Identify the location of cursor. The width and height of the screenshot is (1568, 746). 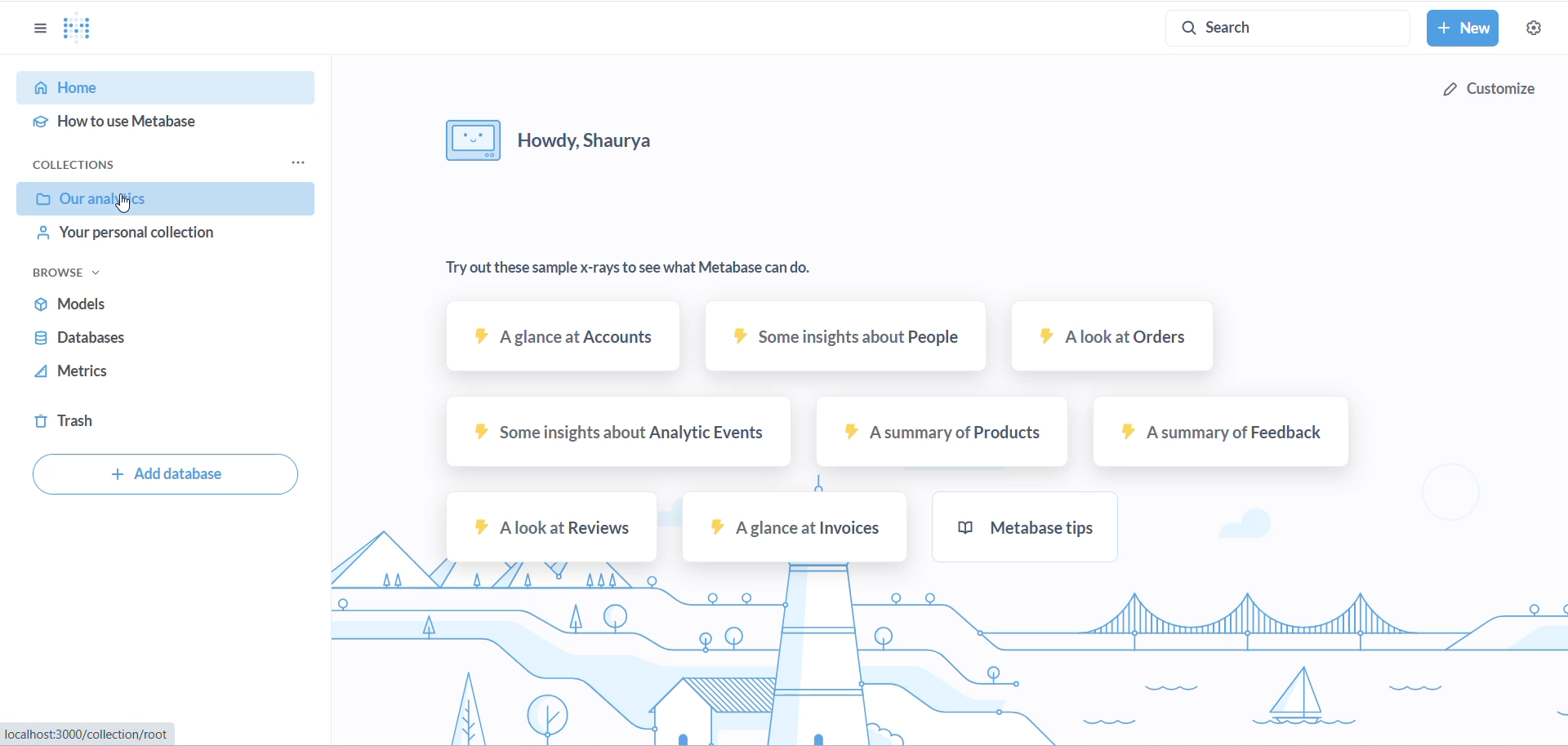
(127, 203).